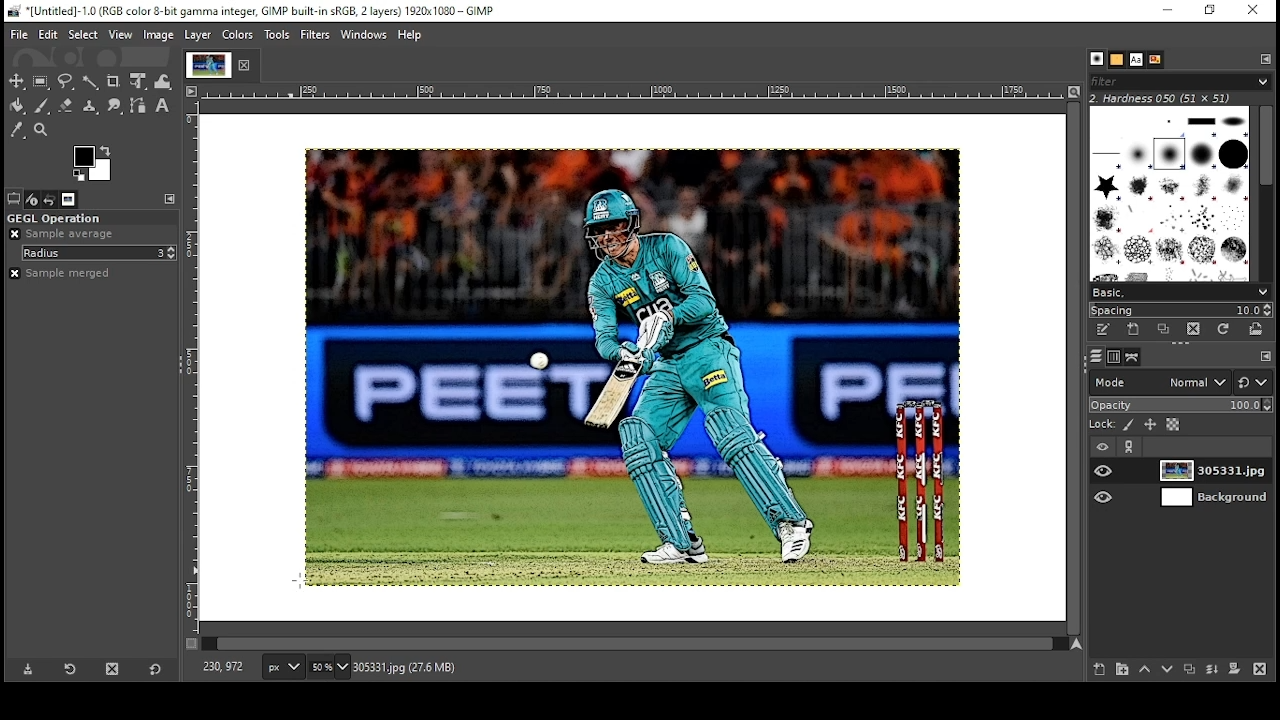 The height and width of the screenshot is (720, 1280). Describe the element at coordinates (1128, 425) in the screenshot. I see `lock pixels` at that location.